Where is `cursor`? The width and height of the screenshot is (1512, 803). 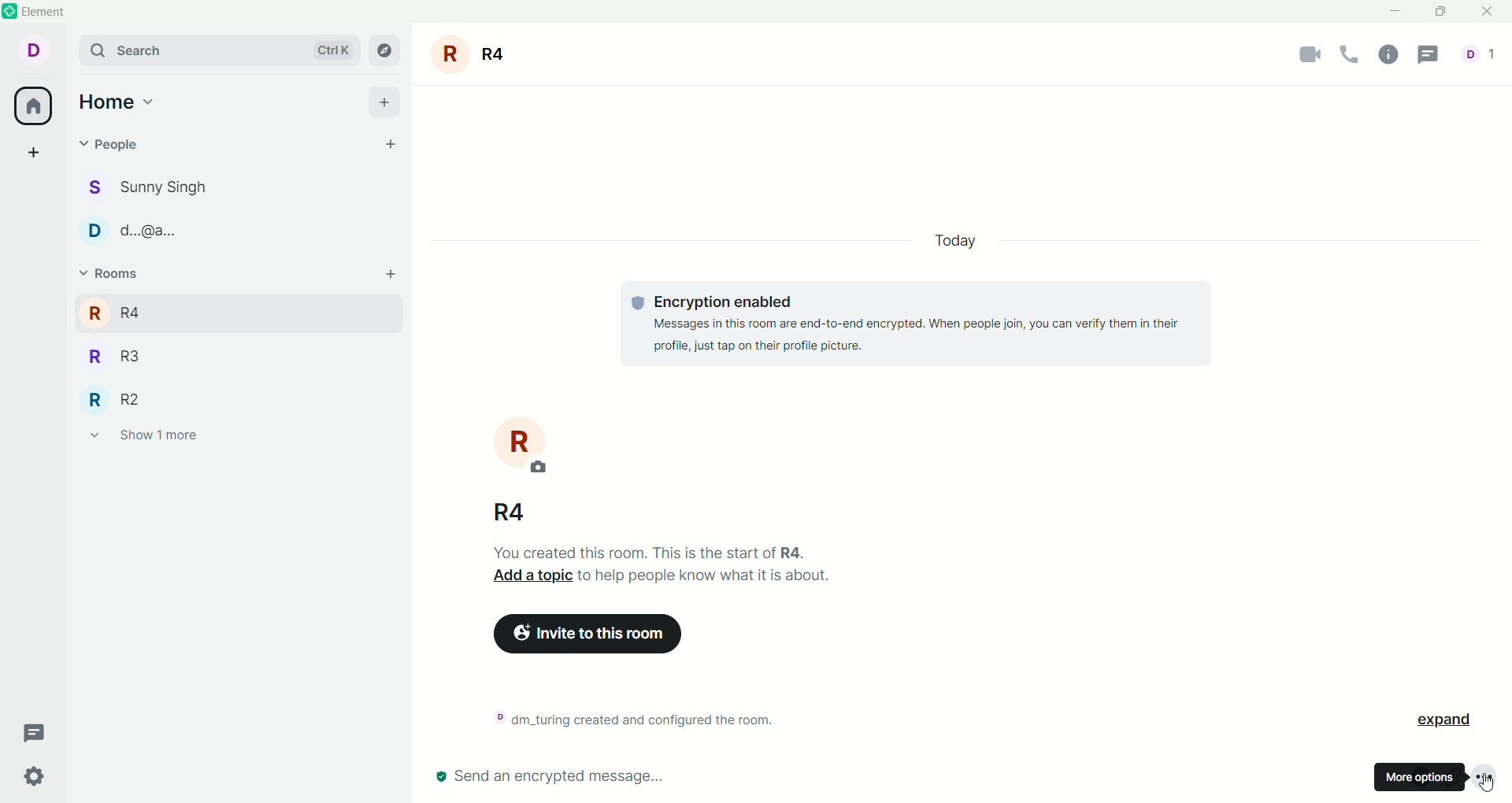
cursor is located at coordinates (1492, 786).